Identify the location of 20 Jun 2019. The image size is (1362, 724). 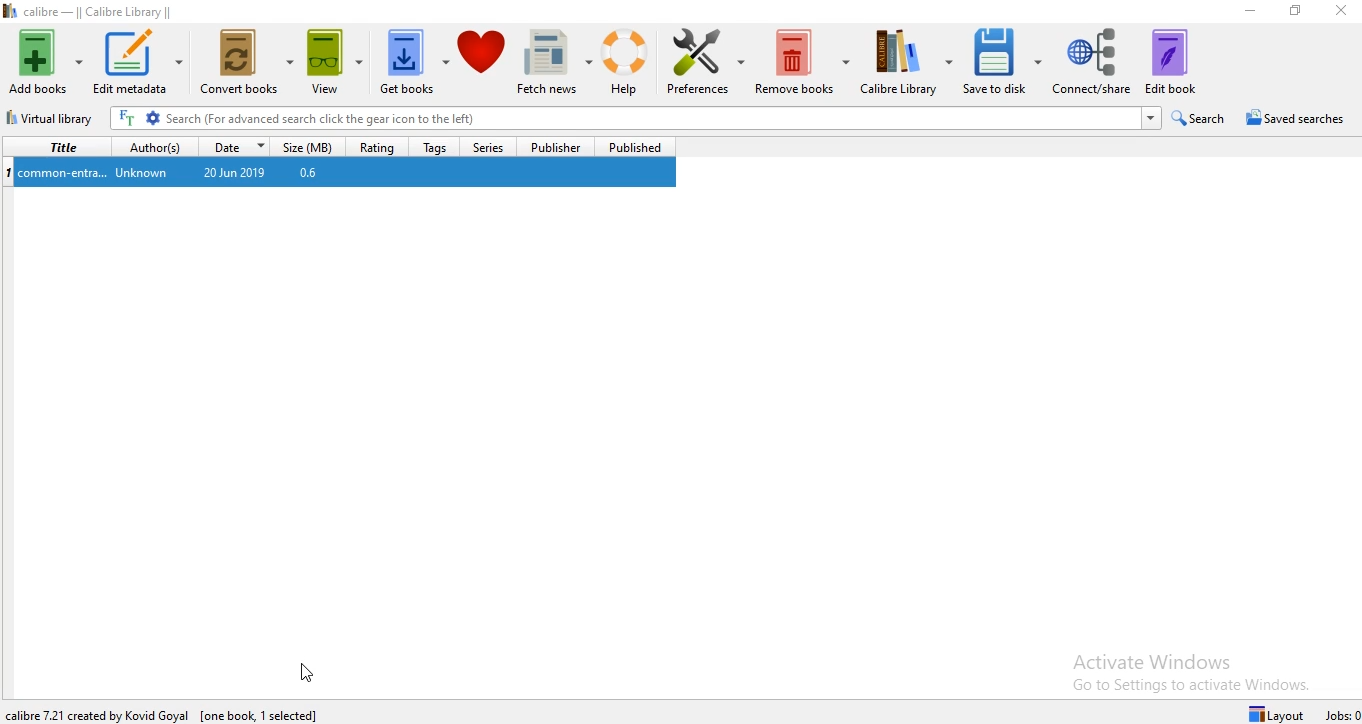
(230, 172).